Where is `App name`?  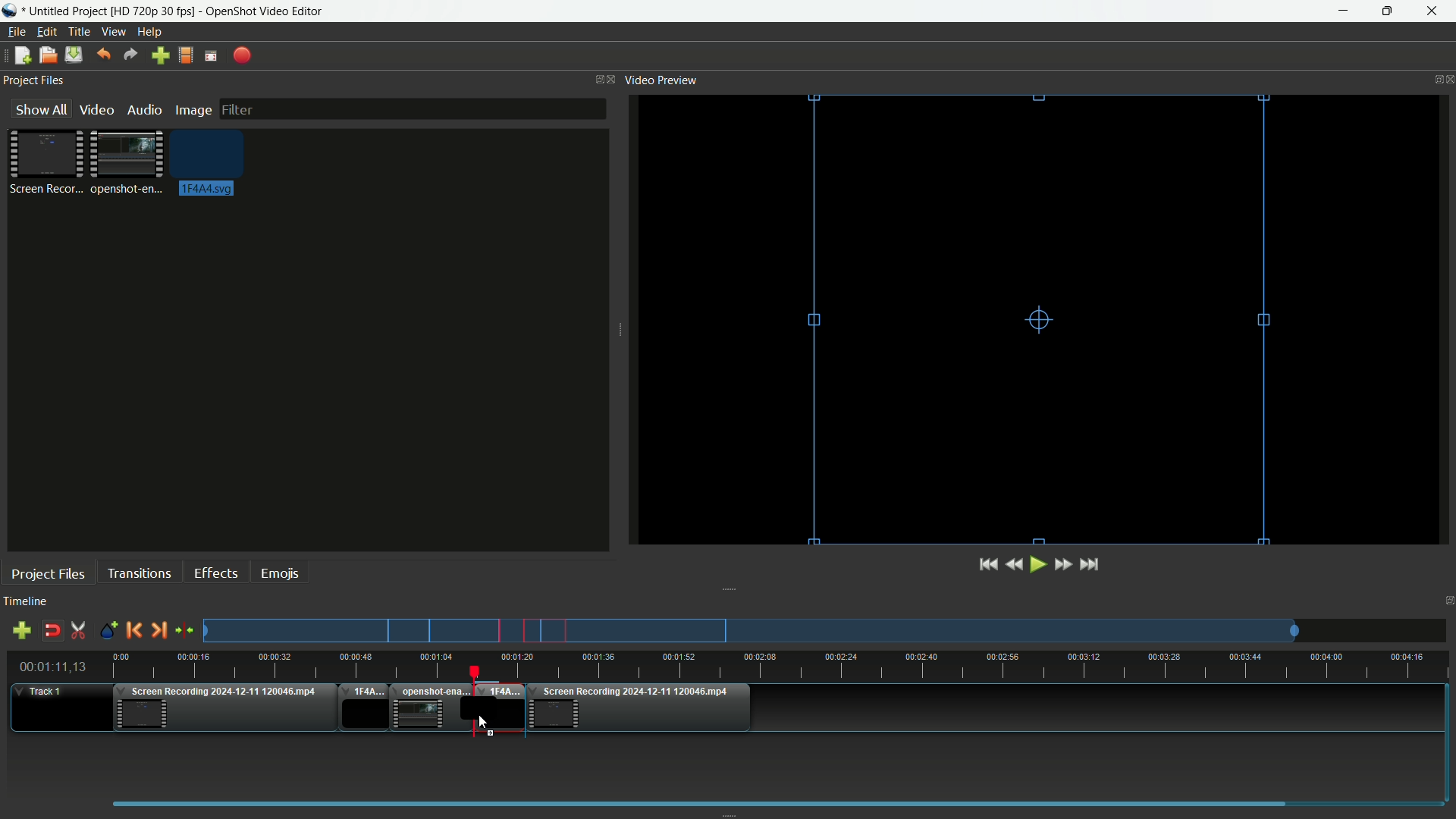
App name is located at coordinates (266, 12).